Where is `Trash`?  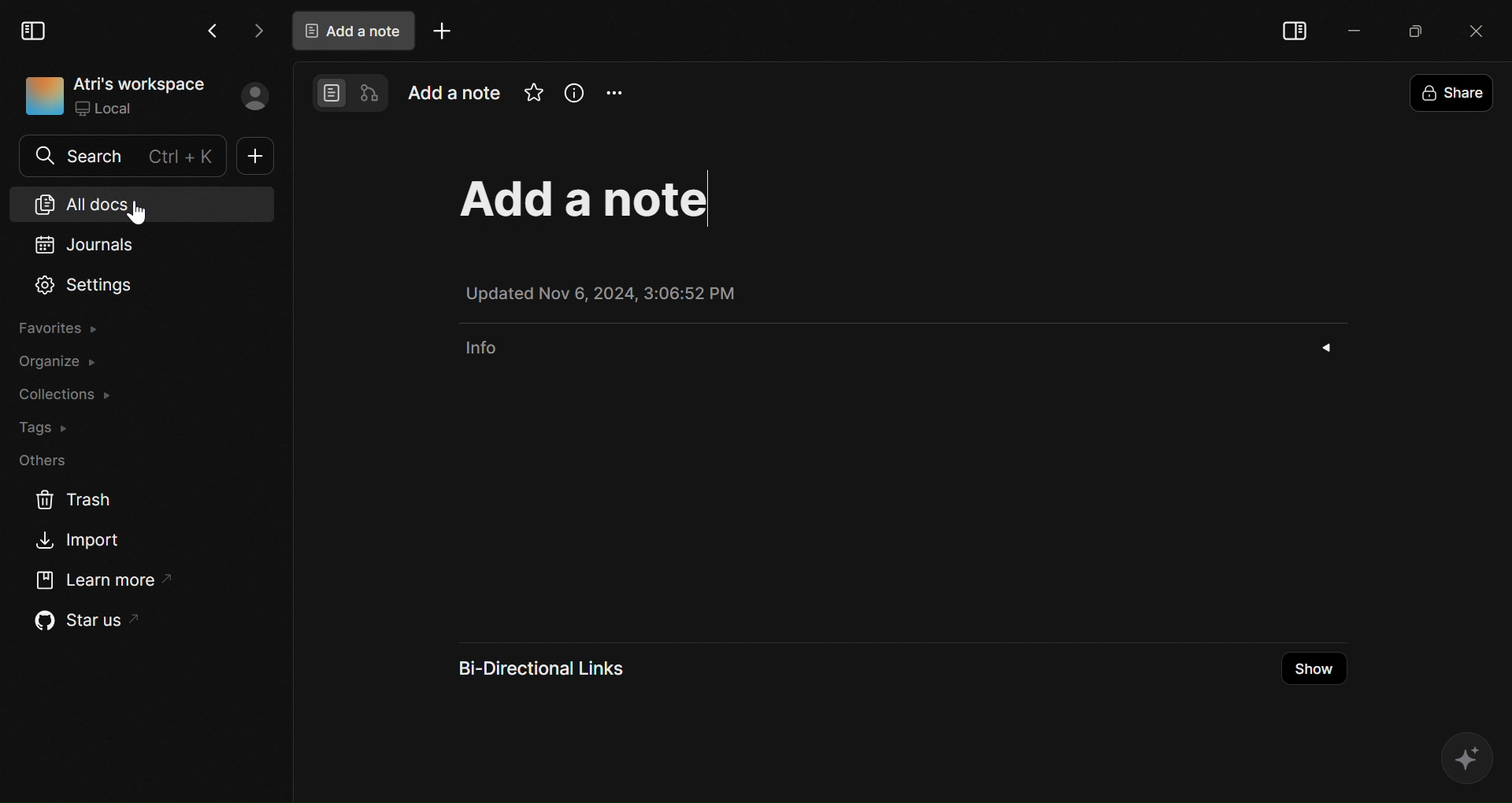
Trash is located at coordinates (67, 502).